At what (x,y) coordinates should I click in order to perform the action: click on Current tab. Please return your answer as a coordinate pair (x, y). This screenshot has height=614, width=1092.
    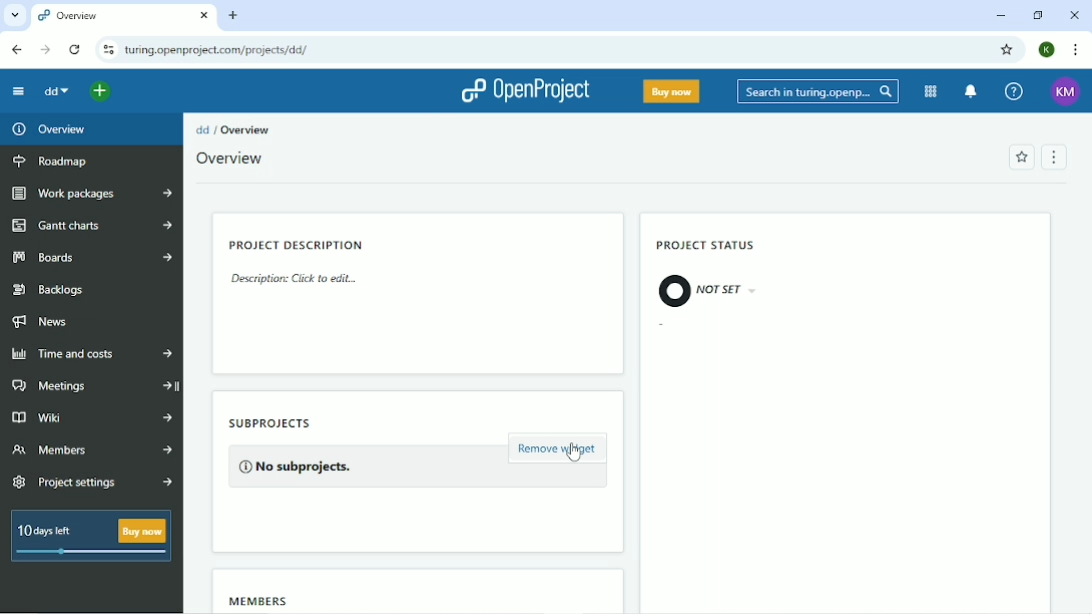
    Looking at the image, I should click on (124, 17).